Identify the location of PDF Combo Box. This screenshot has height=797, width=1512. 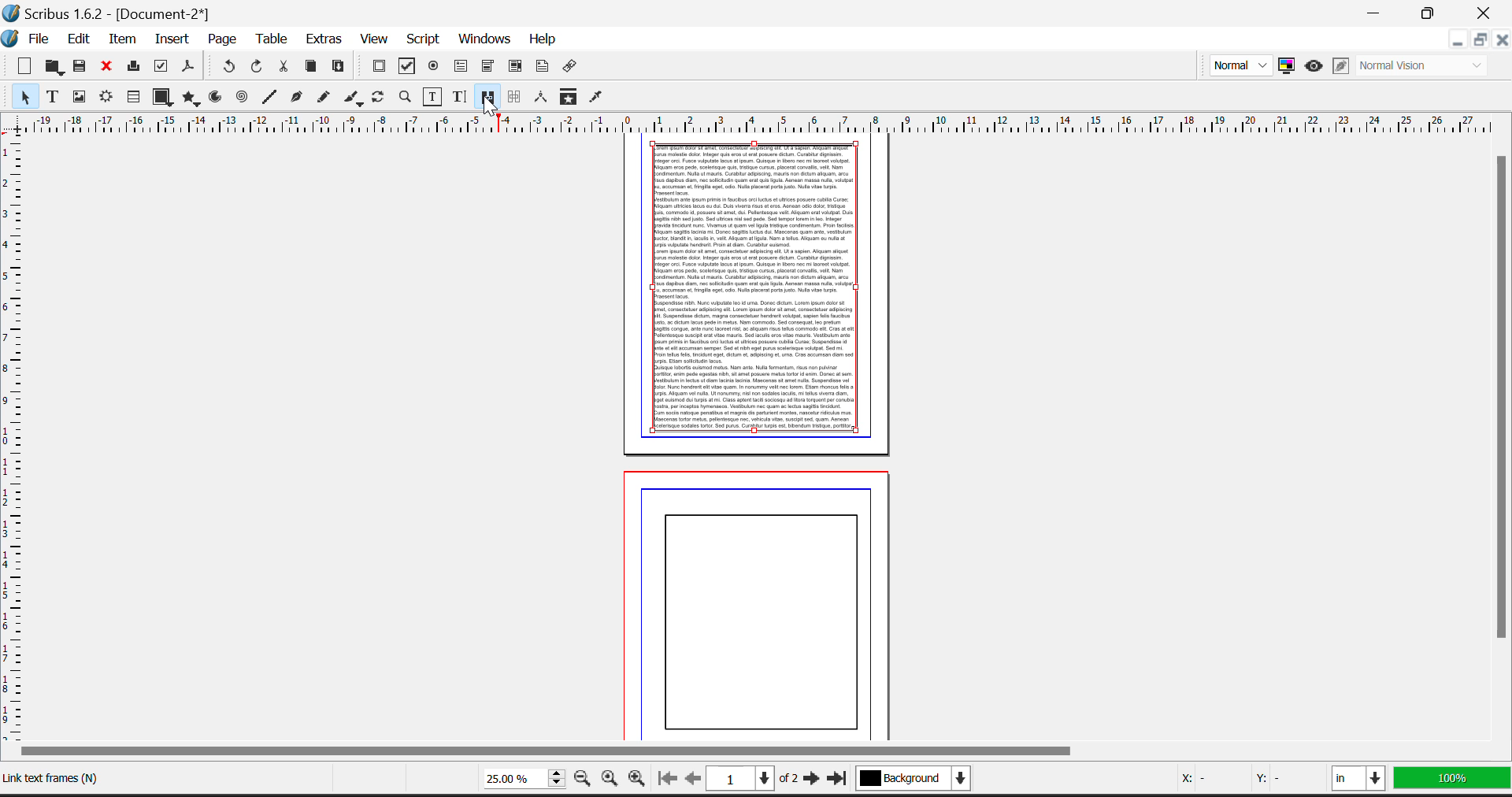
(487, 67).